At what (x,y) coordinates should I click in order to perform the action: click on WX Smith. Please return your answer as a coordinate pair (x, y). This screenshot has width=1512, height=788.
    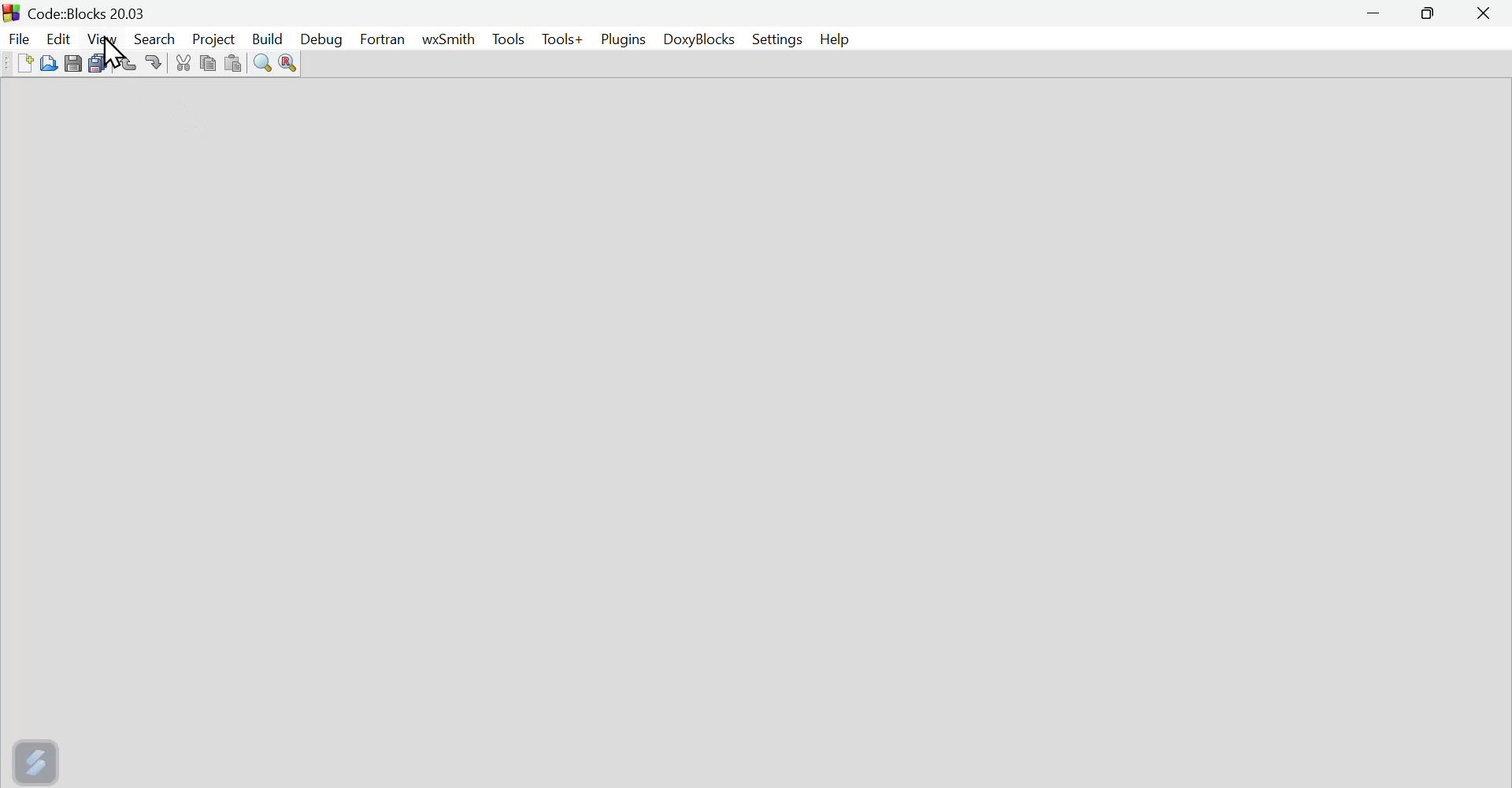
    Looking at the image, I should click on (449, 39).